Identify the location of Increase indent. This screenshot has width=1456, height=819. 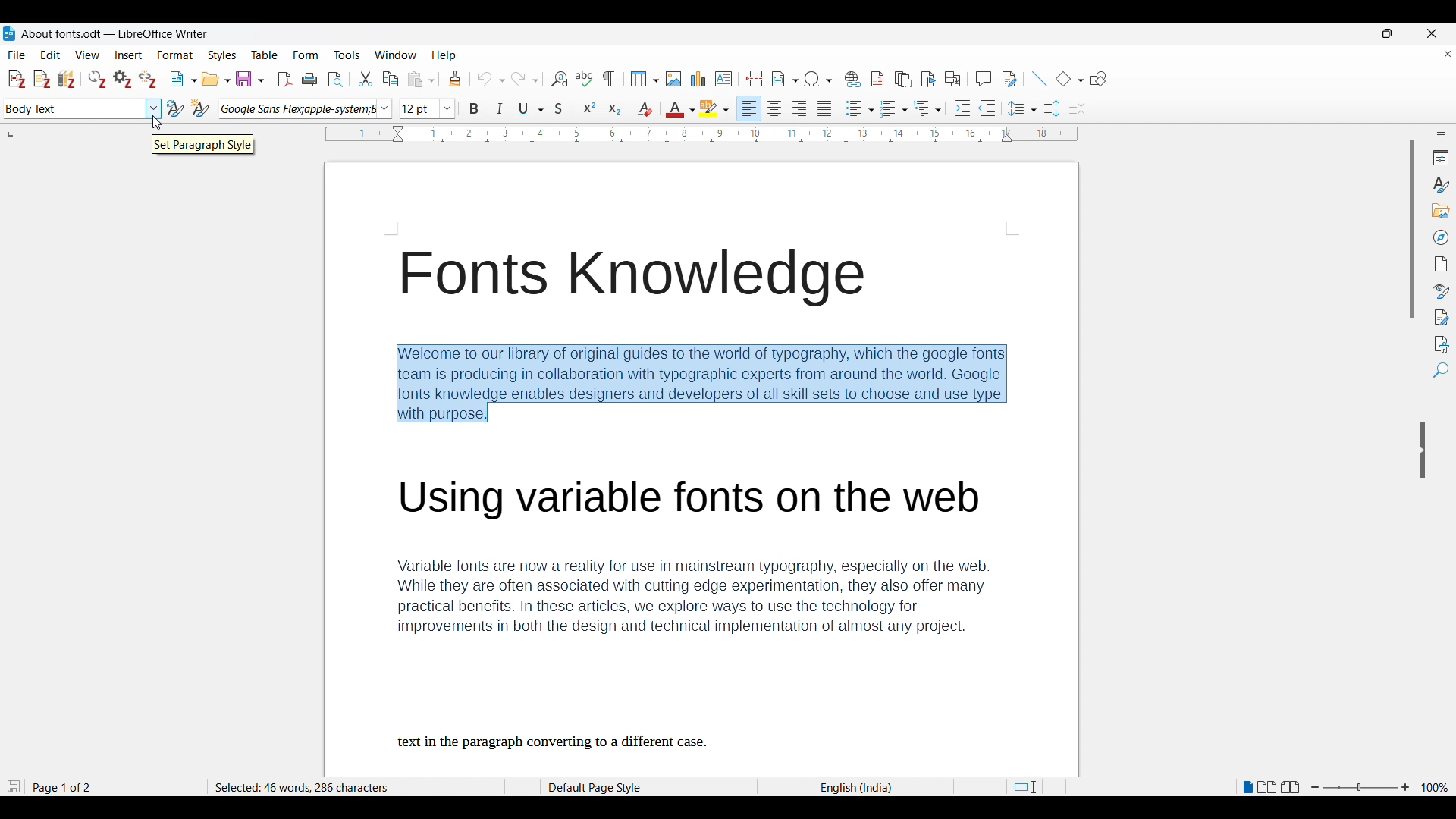
(962, 108).